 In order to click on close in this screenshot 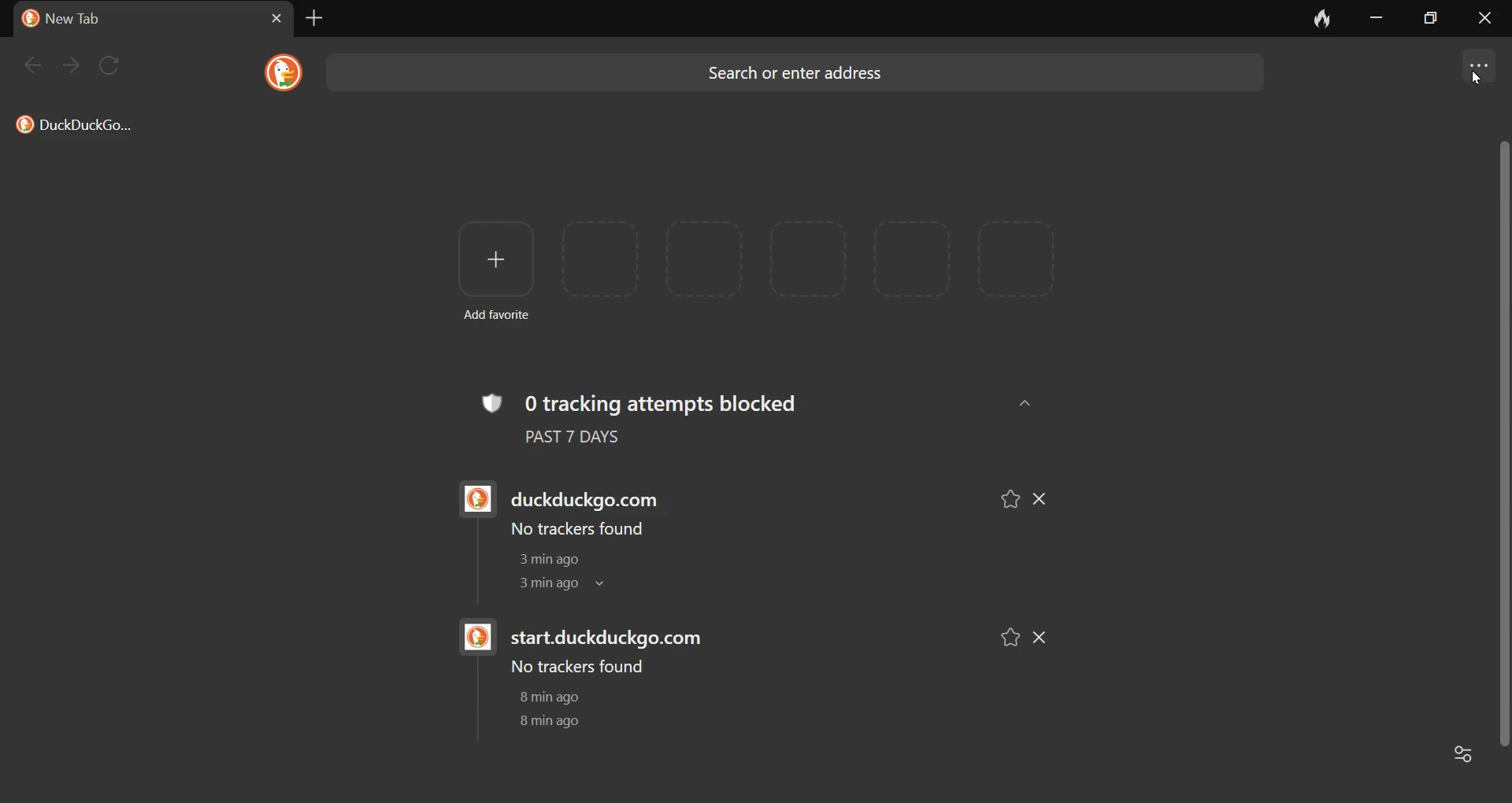, I will do `click(1488, 20)`.